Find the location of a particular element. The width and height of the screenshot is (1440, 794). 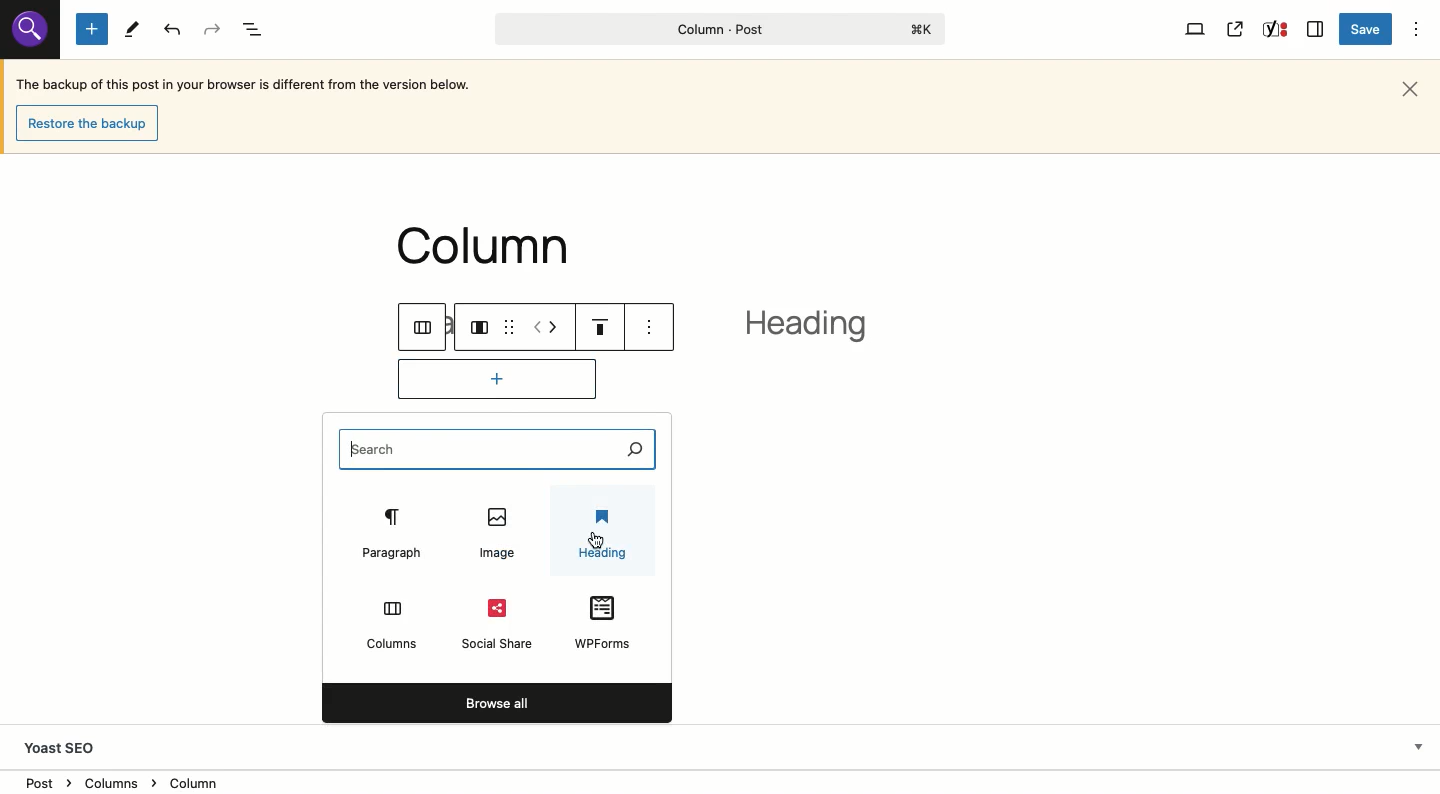

View is located at coordinates (1196, 28).